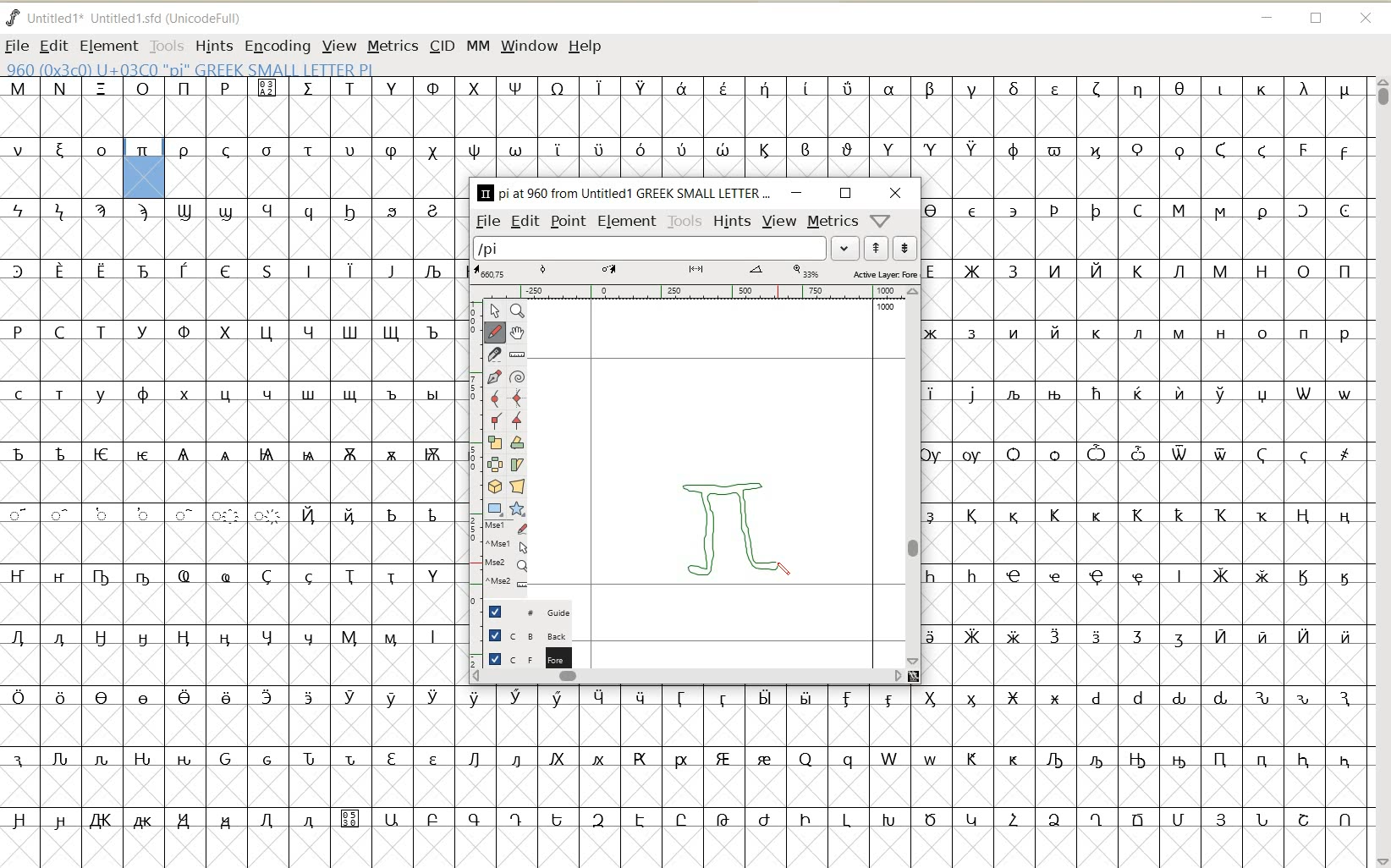 Image resolution: width=1391 pixels, height=868 pixels. I want to click on SCROLLBAR, so click(688, 678).